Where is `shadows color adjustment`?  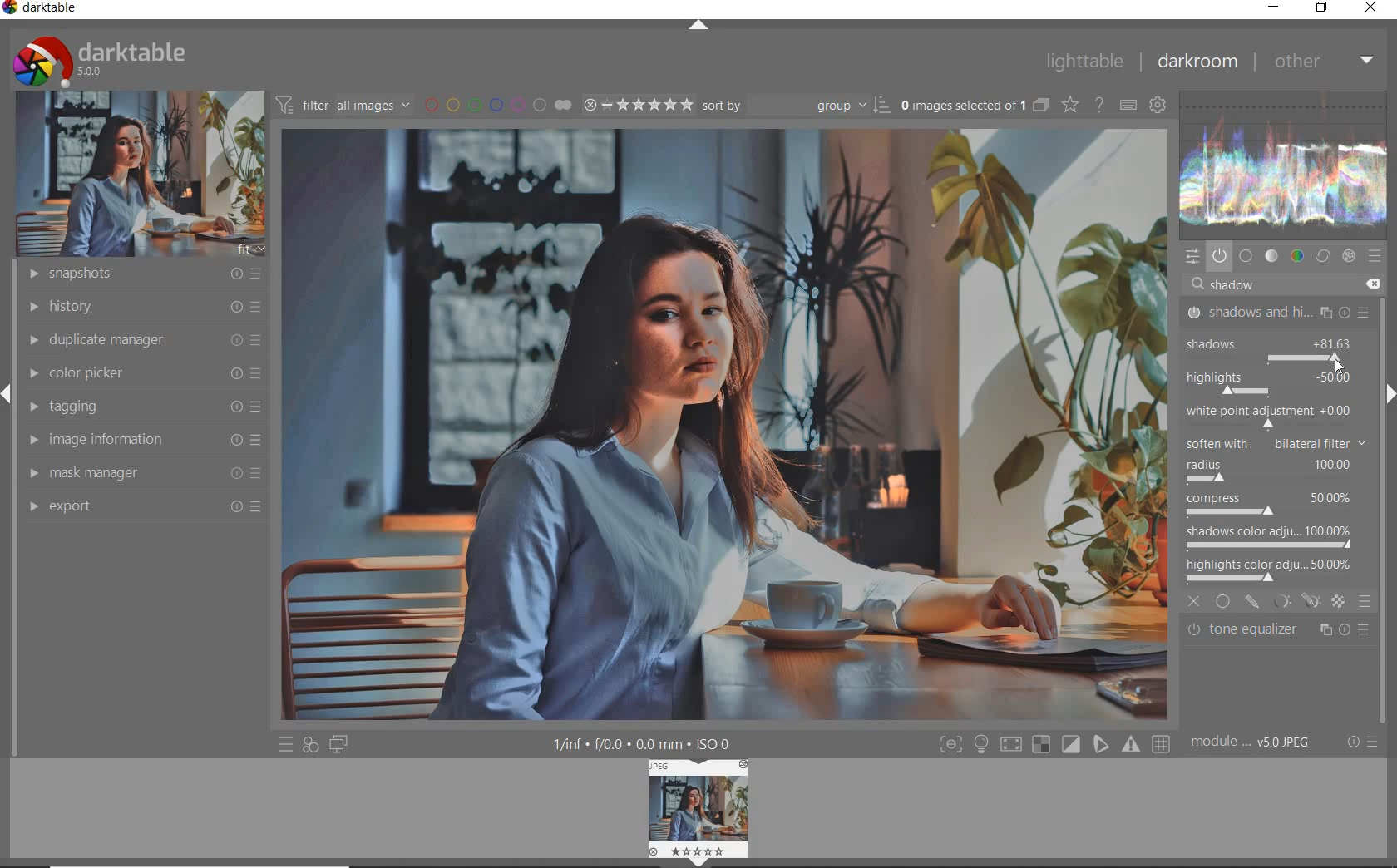 shadows color adjustment is located at coordinates (1269, 535).